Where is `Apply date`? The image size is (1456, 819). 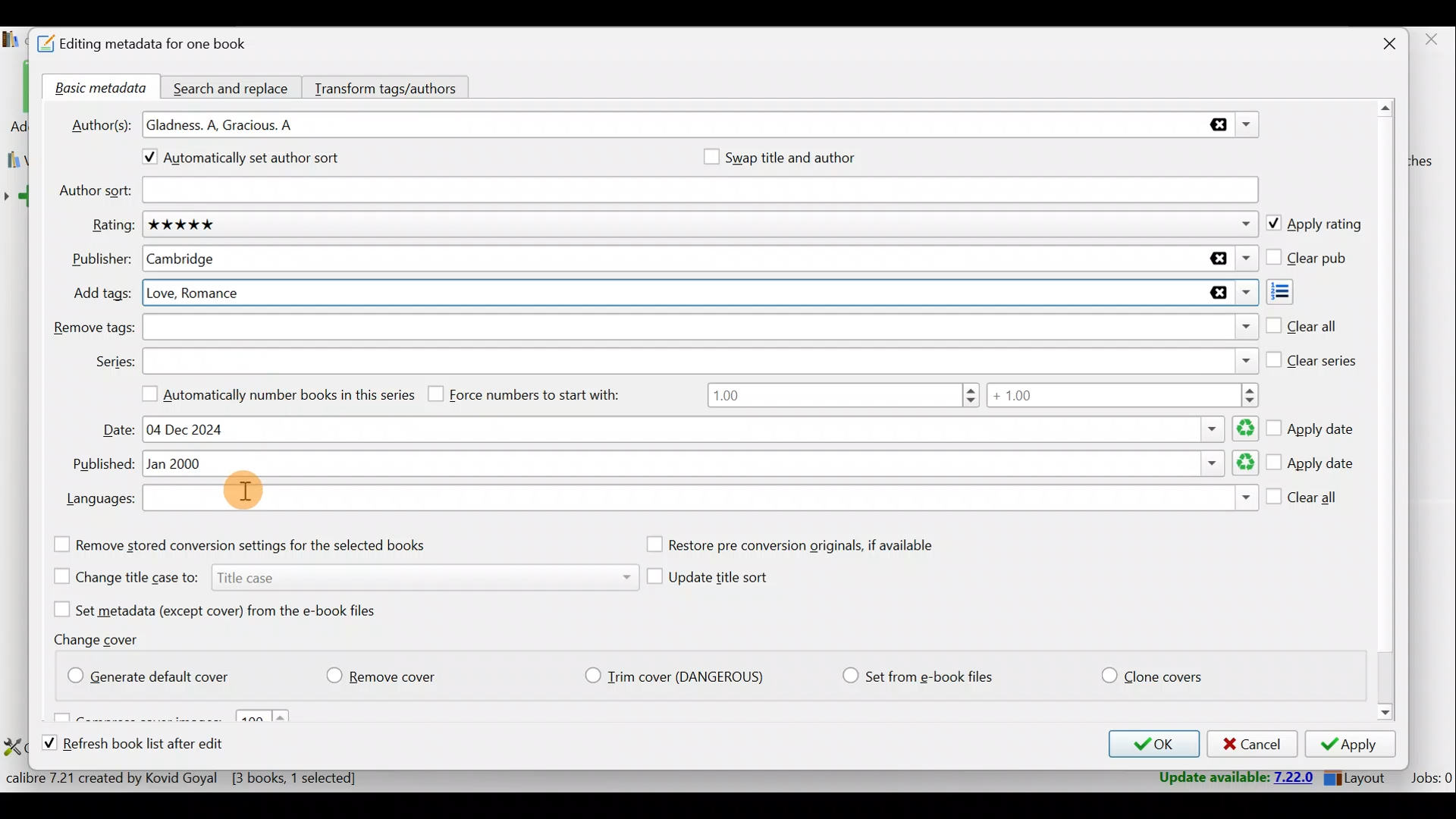
Apply date is located at coordinates (1313, 424).